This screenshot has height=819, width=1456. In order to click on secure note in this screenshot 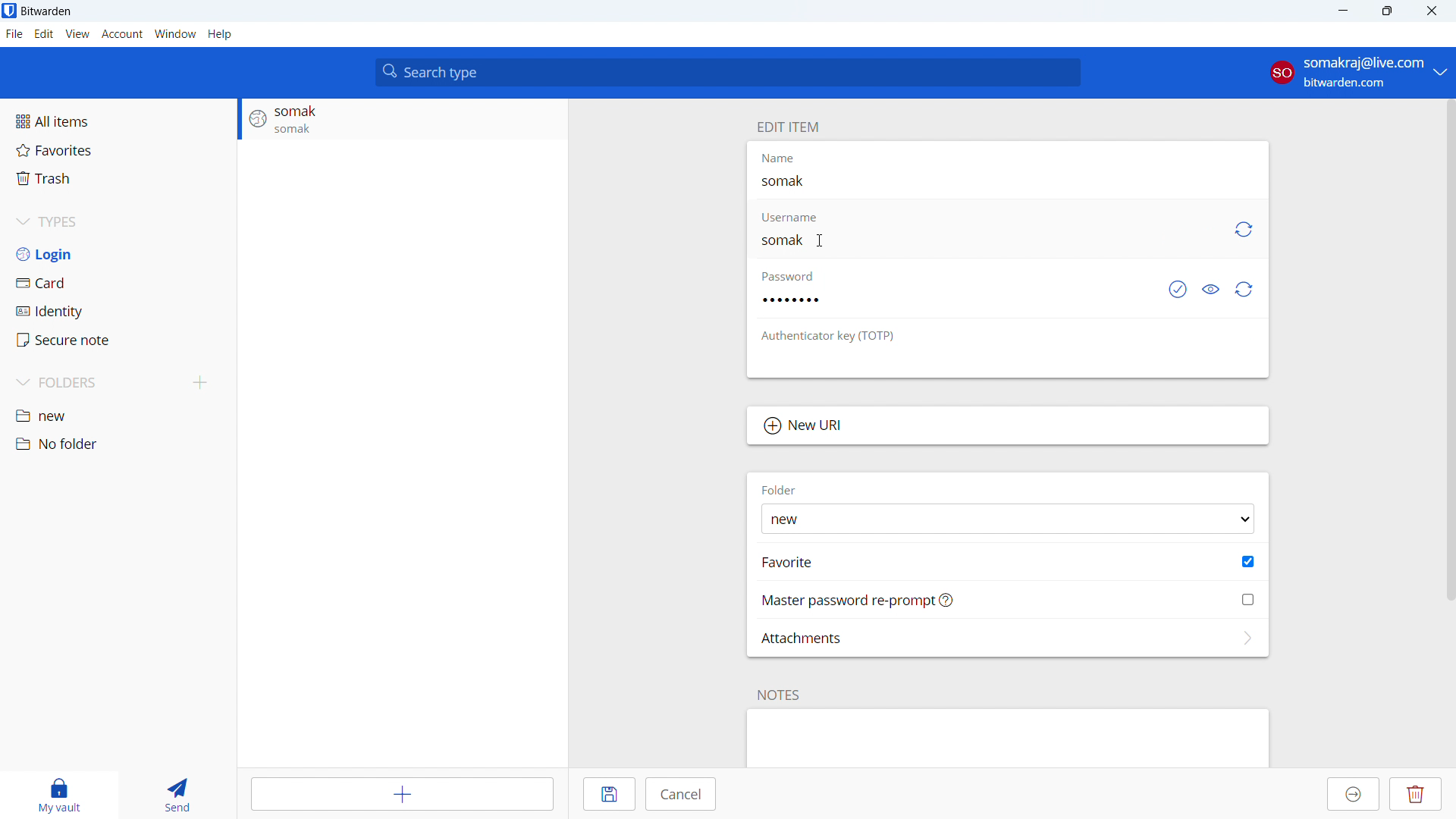, I will do `click(119, 340)`.